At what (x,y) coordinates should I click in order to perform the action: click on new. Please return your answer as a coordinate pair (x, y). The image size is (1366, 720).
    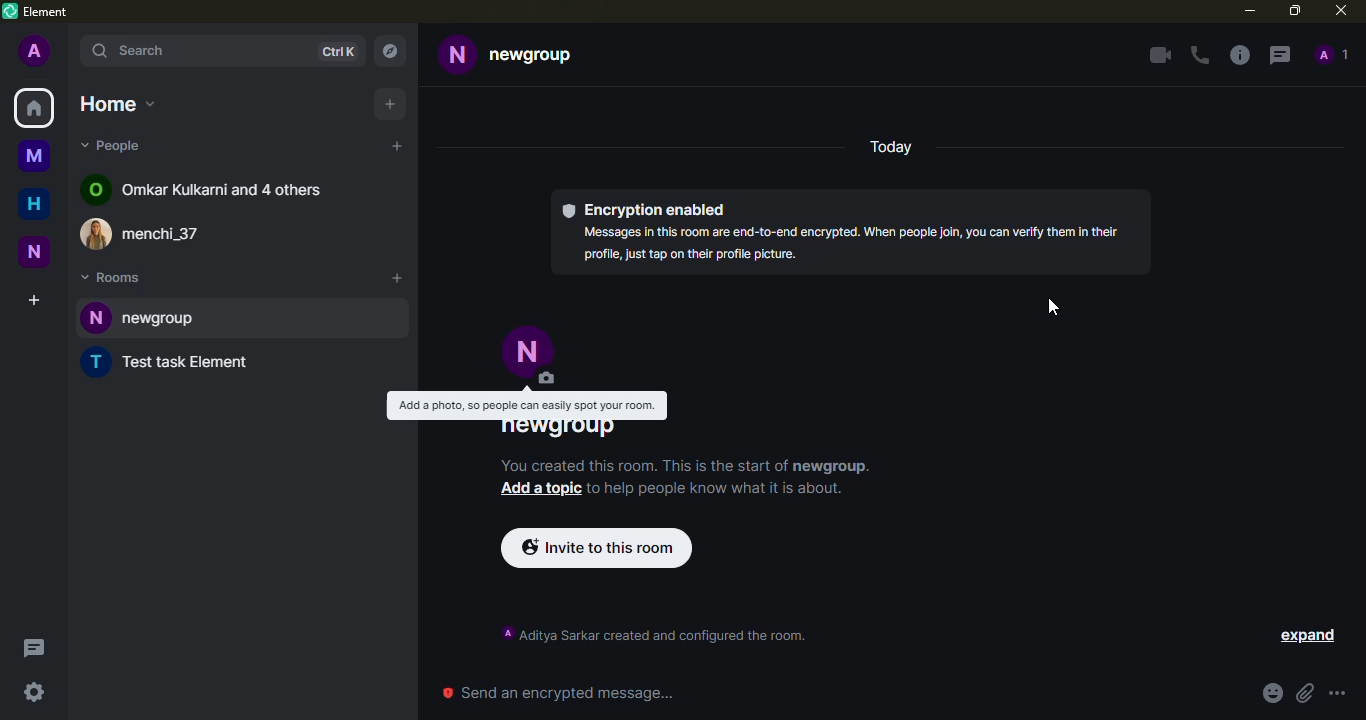
    Looking at the image, I should click on (34, 252).